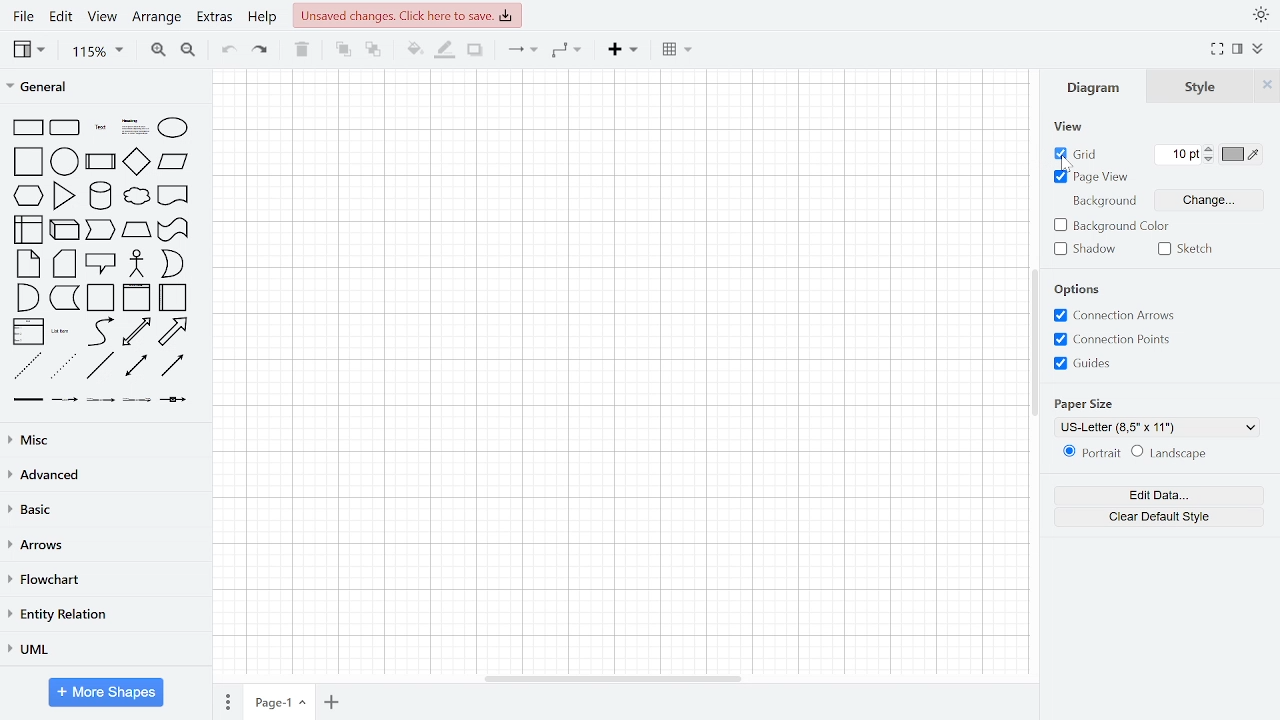  What do you see at coordinates (406, 14) in the screenshot?
I see `unsaved changes. Click here to save` at bounding box center [406, 14].